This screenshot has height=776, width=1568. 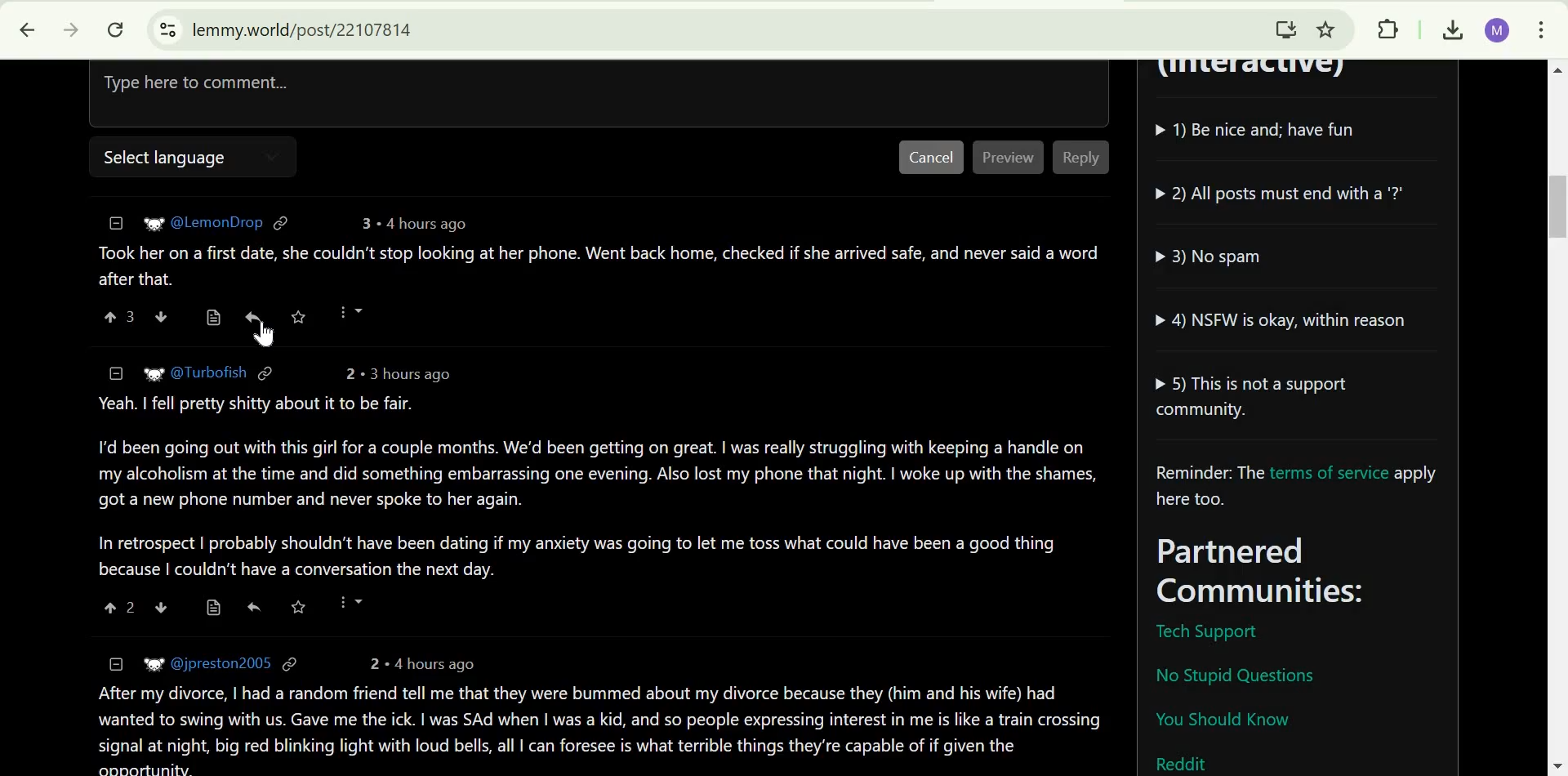 What do you see at coordinates (431, 664) in the screenshot?
I see `4 hours ago` at bounding box center [431, 664].